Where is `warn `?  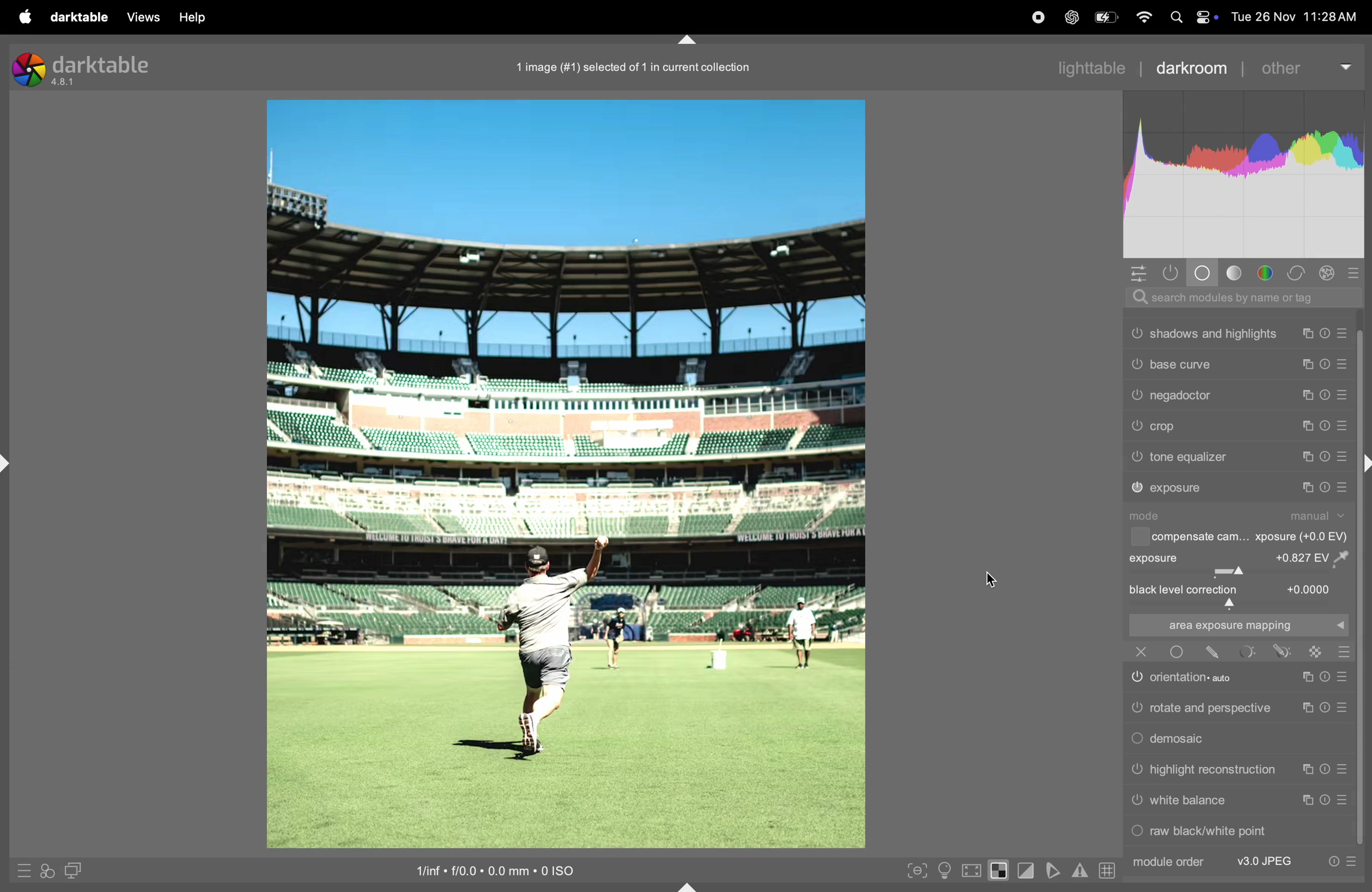
warn  is located at coordinates (1080, 871).